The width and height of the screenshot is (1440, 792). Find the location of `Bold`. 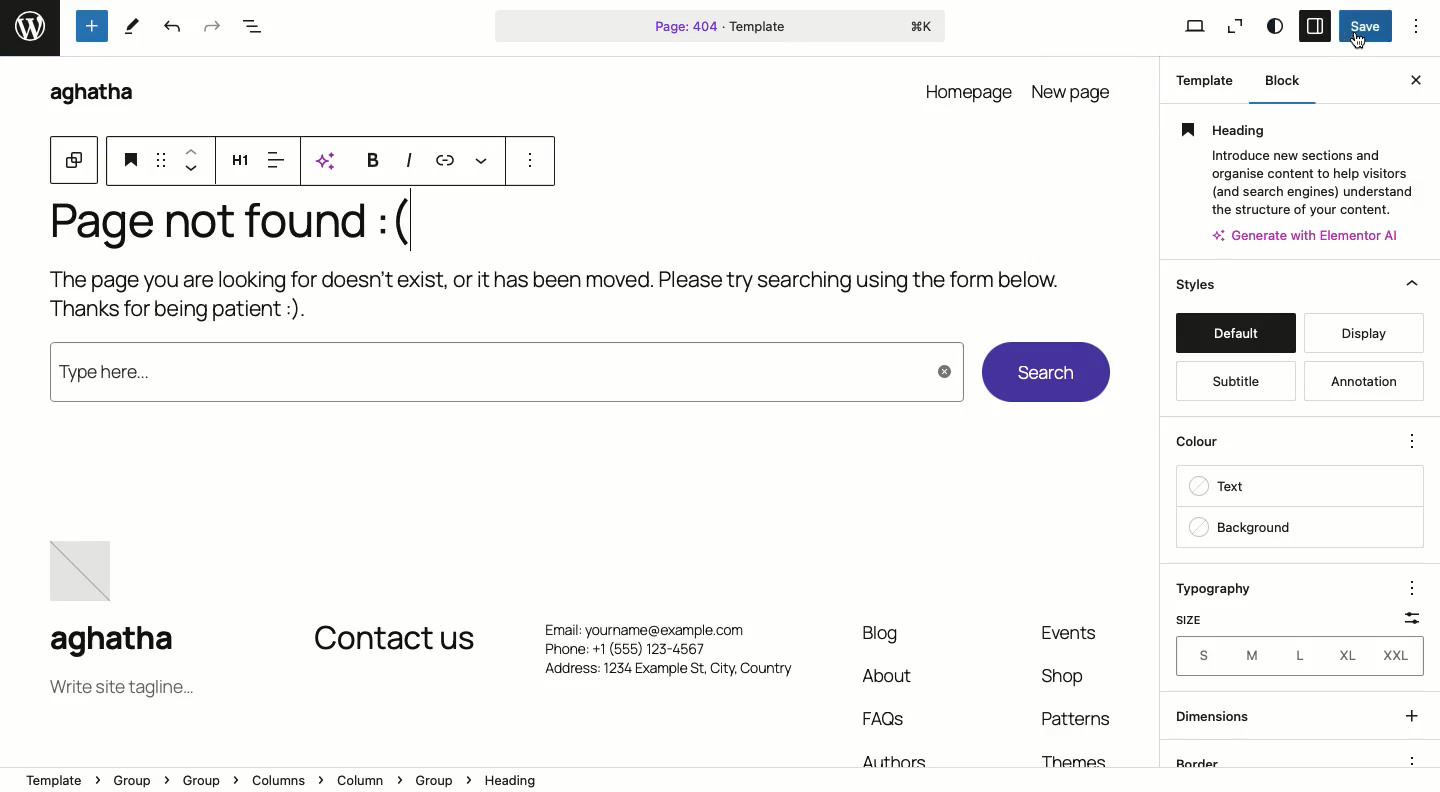

Bold is located at coordinates (372, 161).